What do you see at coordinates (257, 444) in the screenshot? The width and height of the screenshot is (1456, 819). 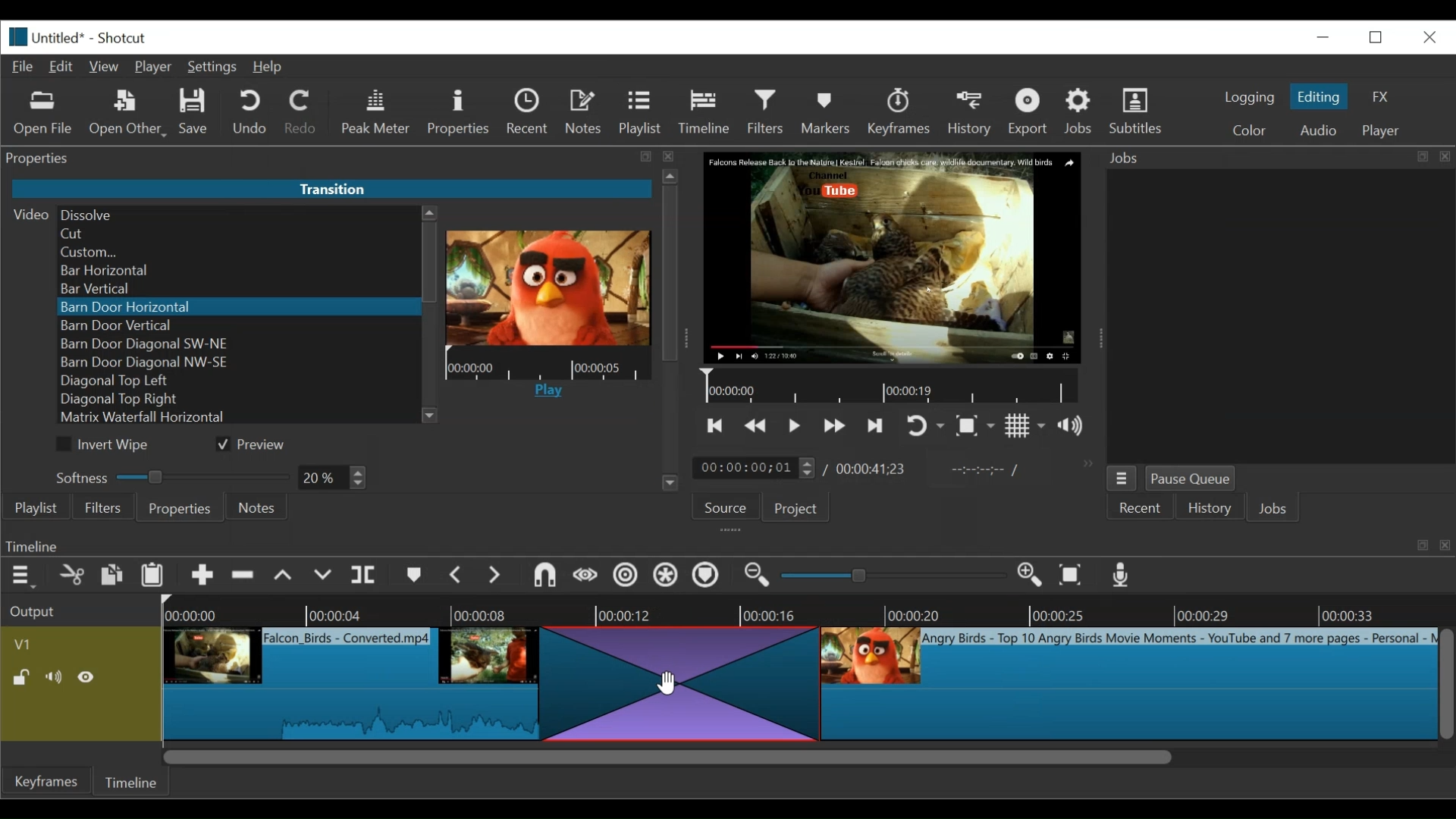 I see `(un)check Preview` at bounding box center [257, 444].